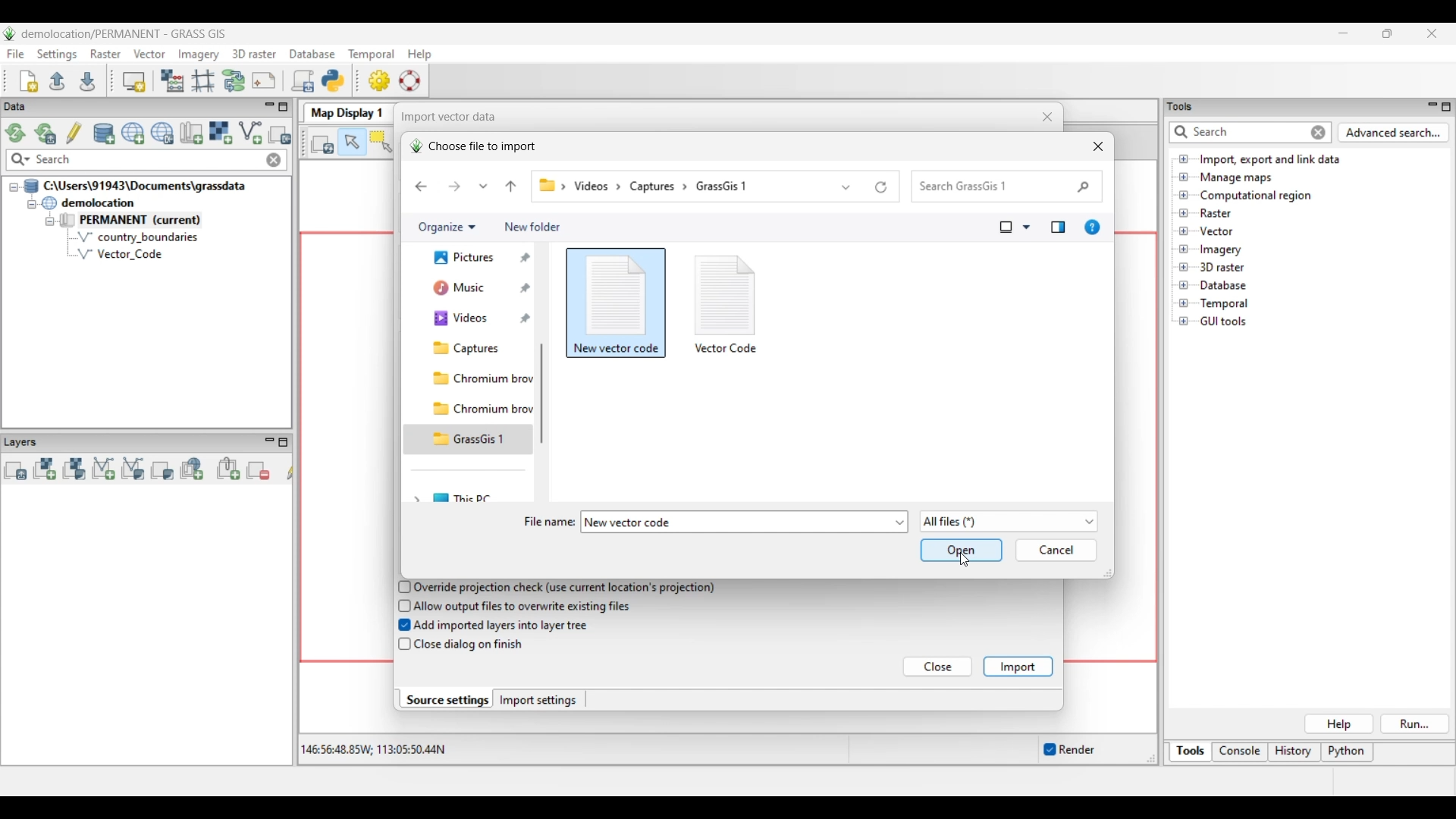  Describe the element at coordinates (269, 108) in the screenshot. I see `Minimize Data menu` at that location.